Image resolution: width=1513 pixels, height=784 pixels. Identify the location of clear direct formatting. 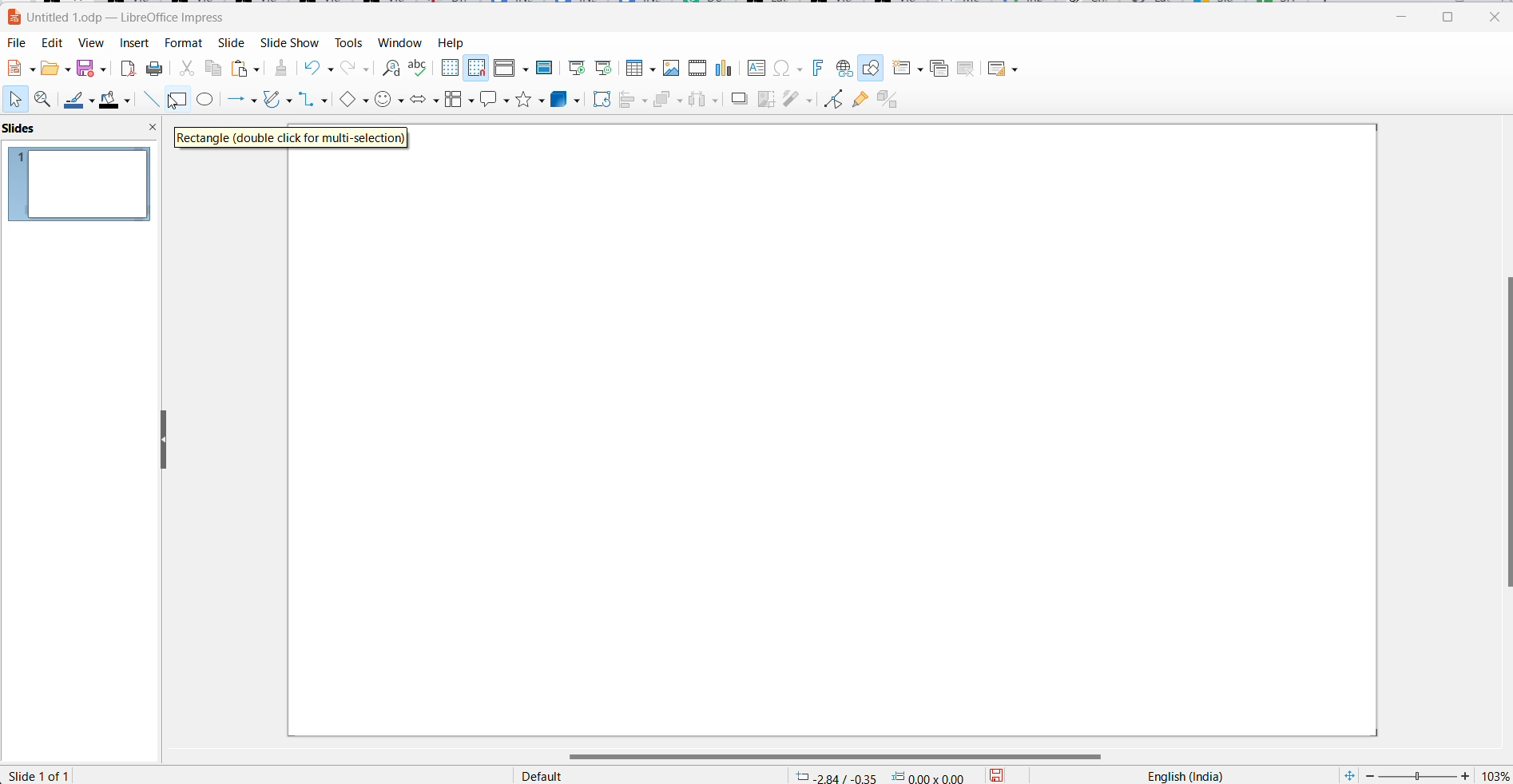
(280, 68).